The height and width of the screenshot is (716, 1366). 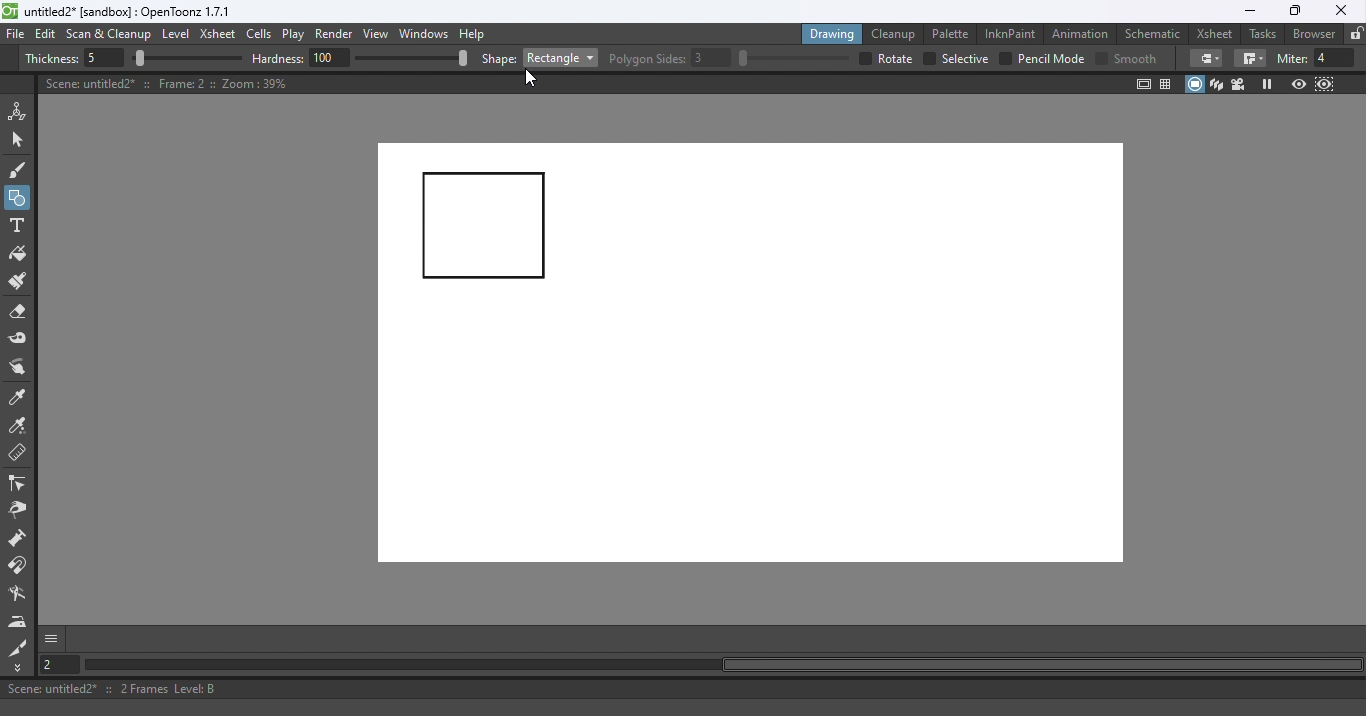 I want to click on Finger tool, so click(x=18, y=369).